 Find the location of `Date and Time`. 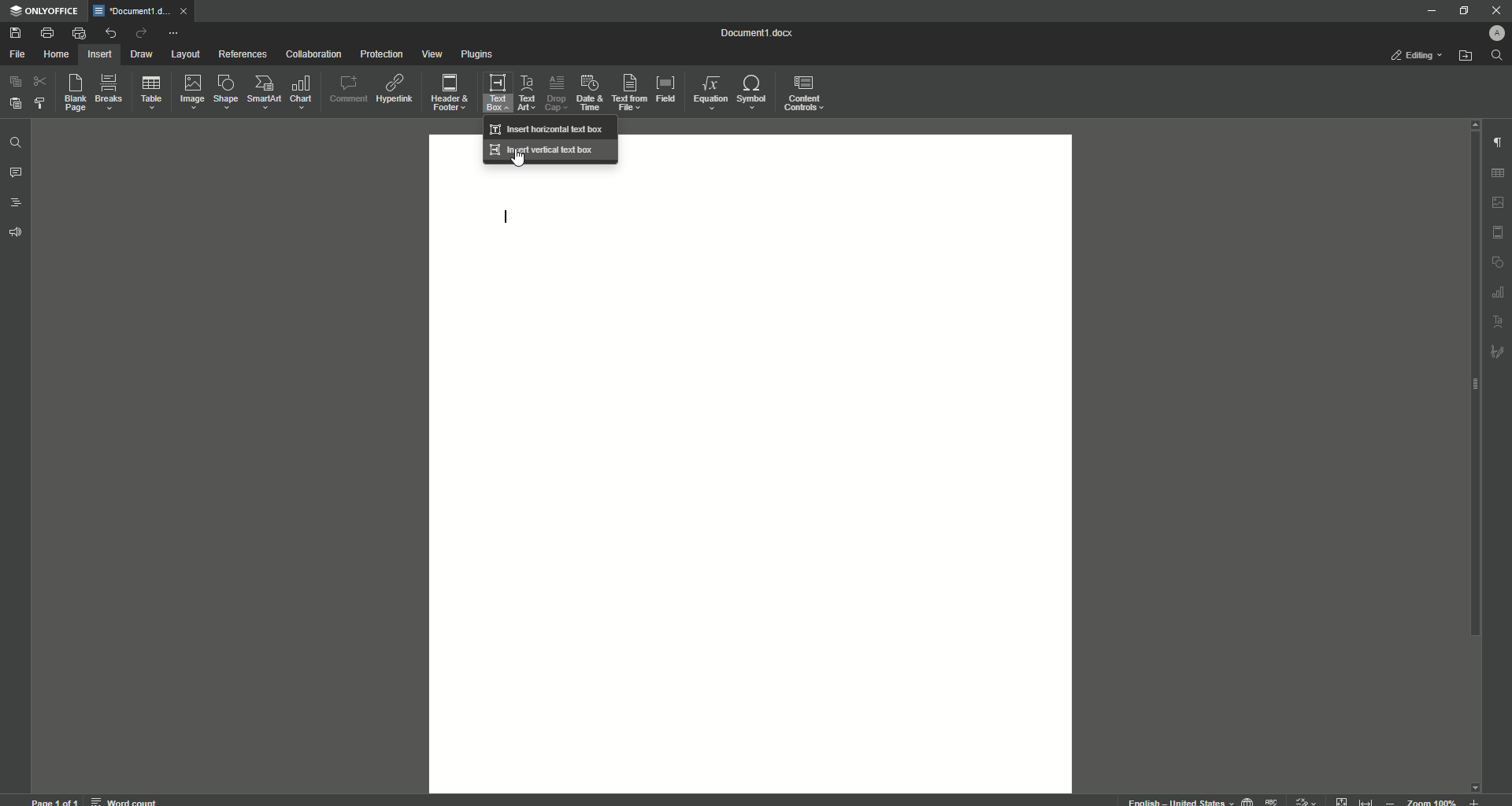

Date and Time is located at coordinates (589, 93).